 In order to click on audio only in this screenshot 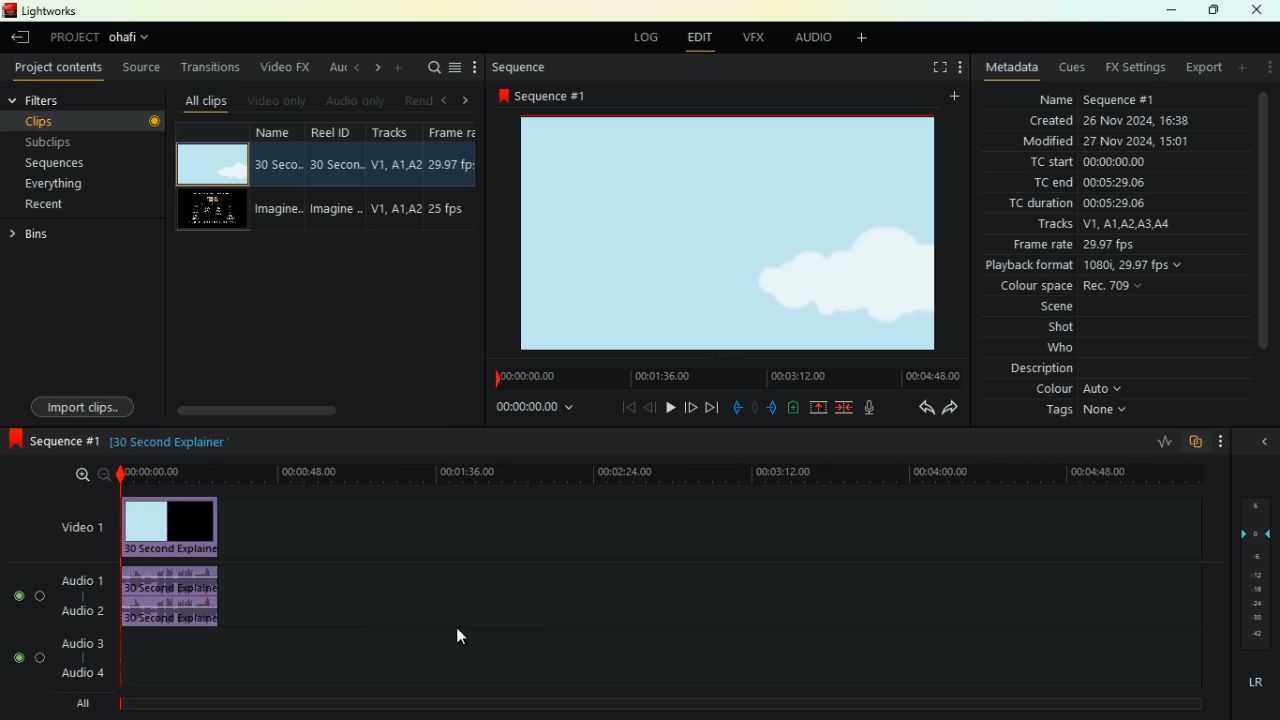, I will do `click(357, 100)`.